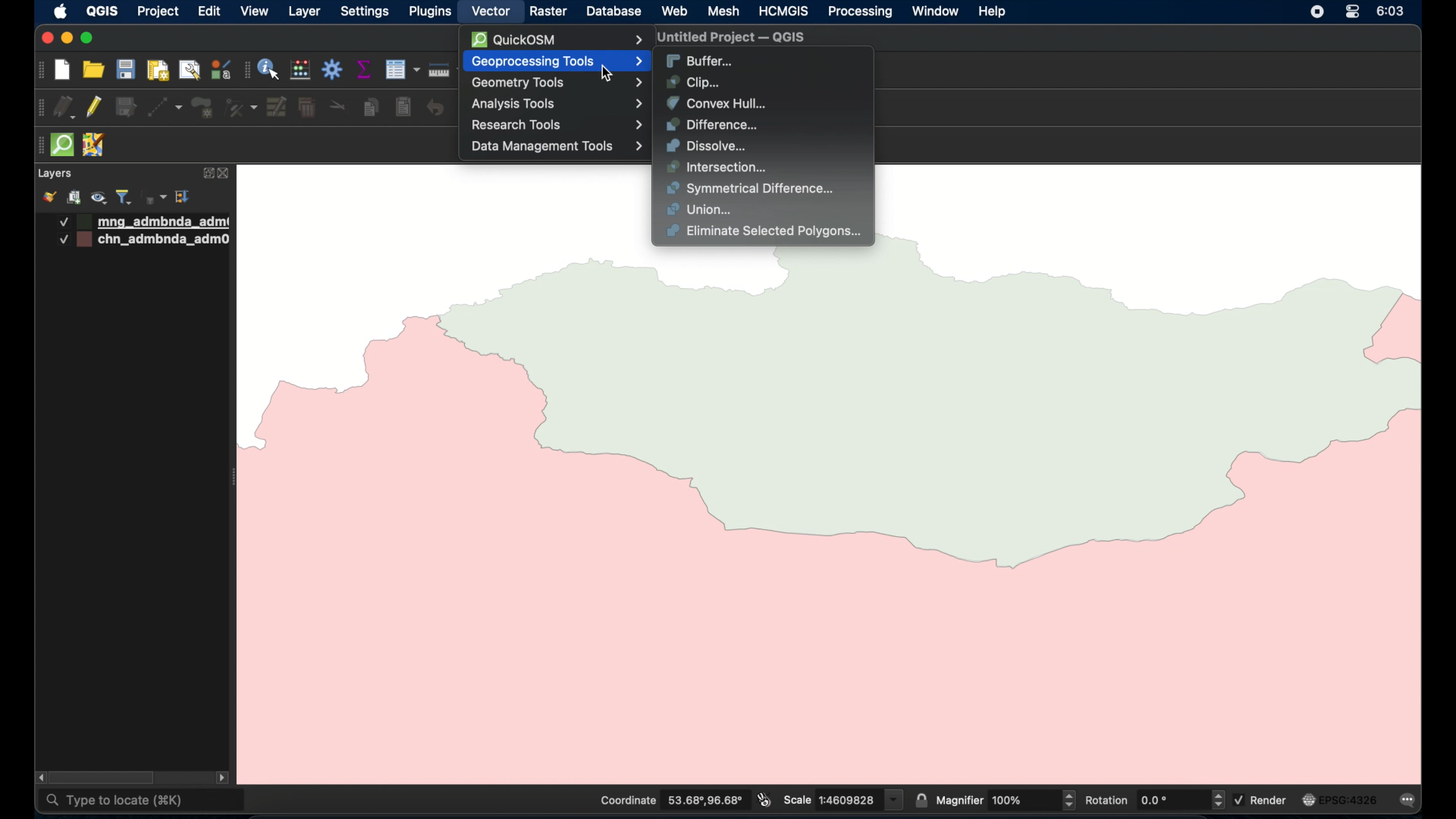  Describe the element at coordinates (338, 105) in the screenshot. I see `cut` at that location.